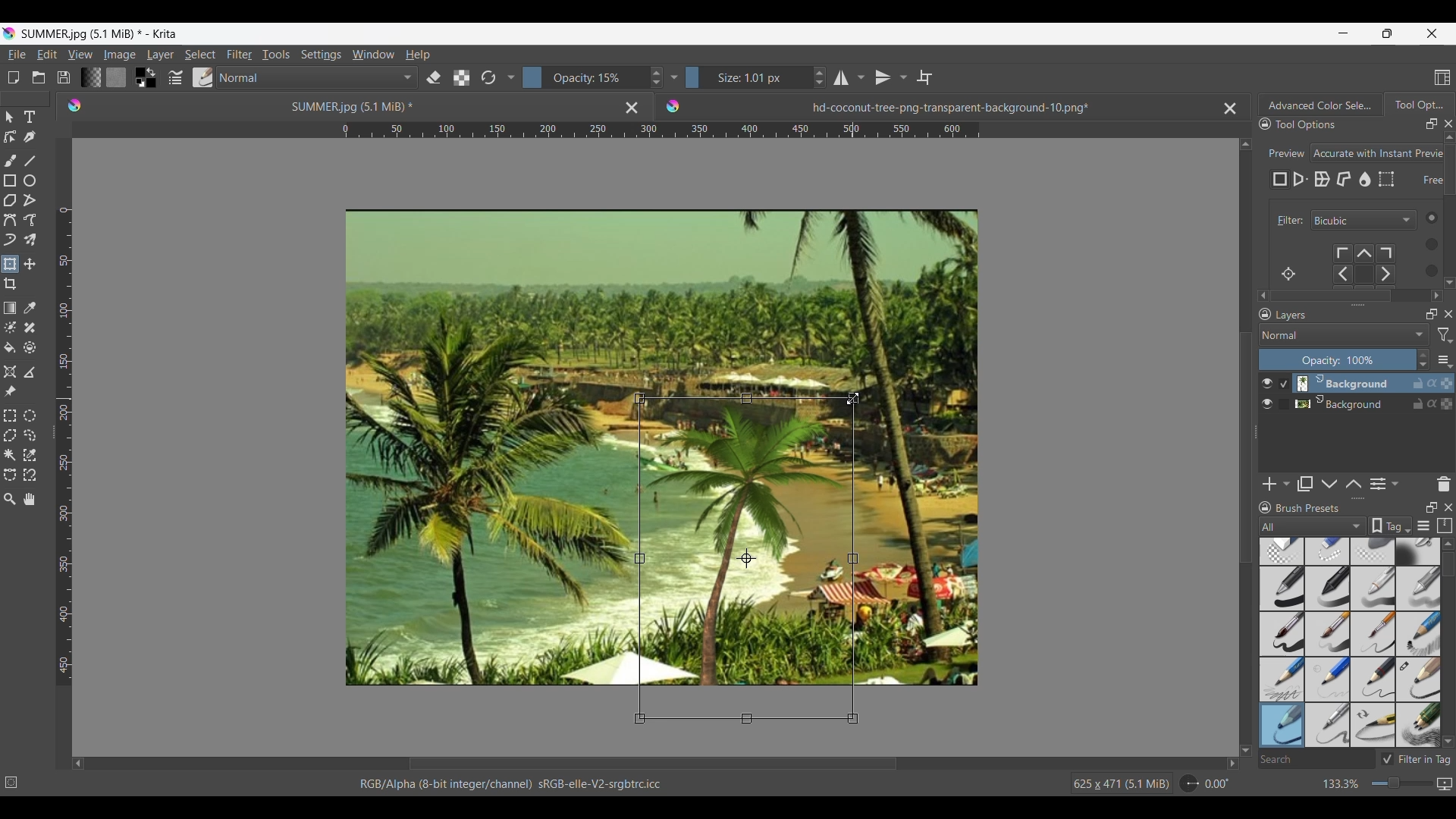  Describe the element at coordinates (10, 136) in the screenshot. I see `Edit shapes tool` at that location.